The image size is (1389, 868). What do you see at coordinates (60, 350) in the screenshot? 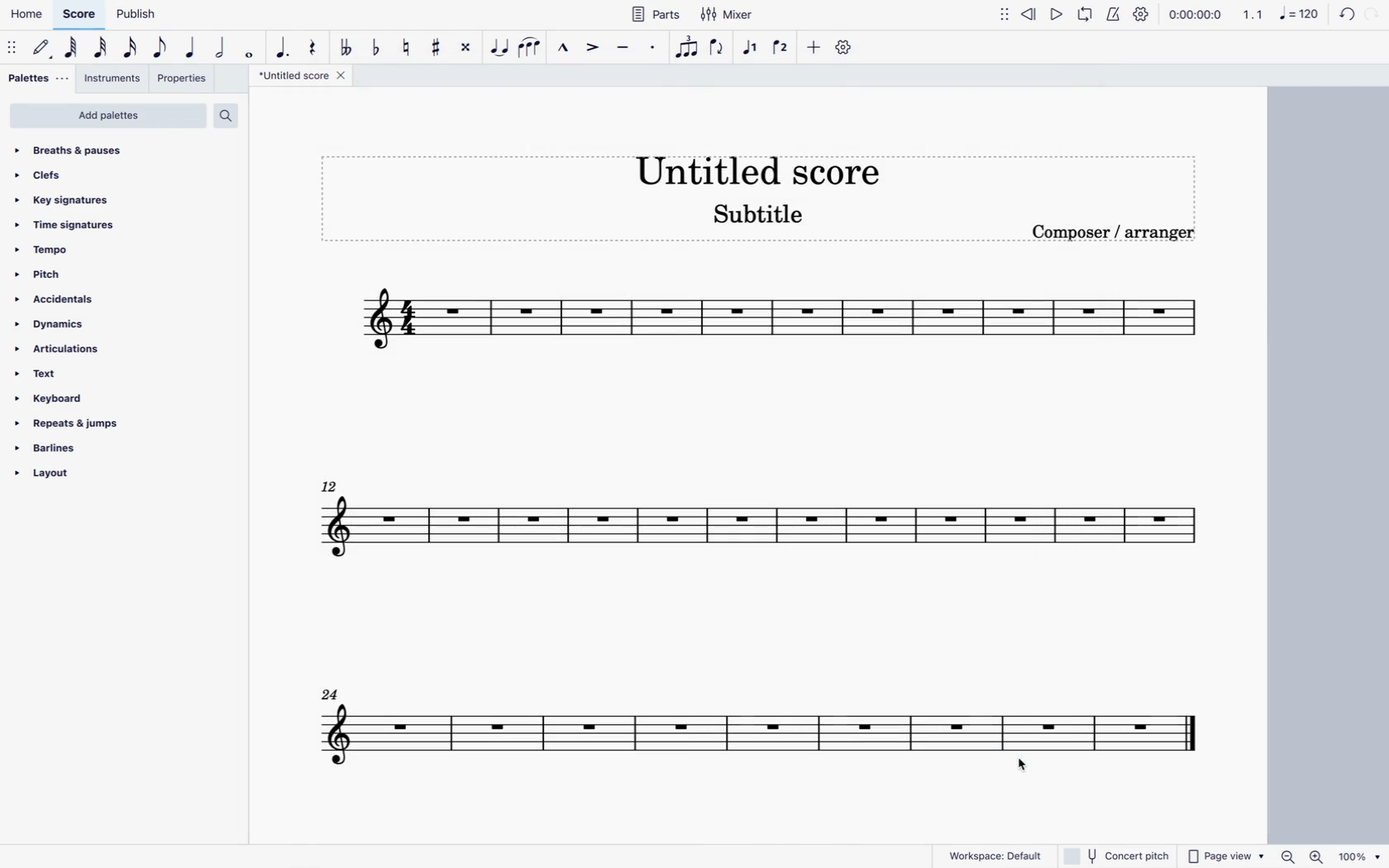
I see `articulations` at bounding box center [60, 350].